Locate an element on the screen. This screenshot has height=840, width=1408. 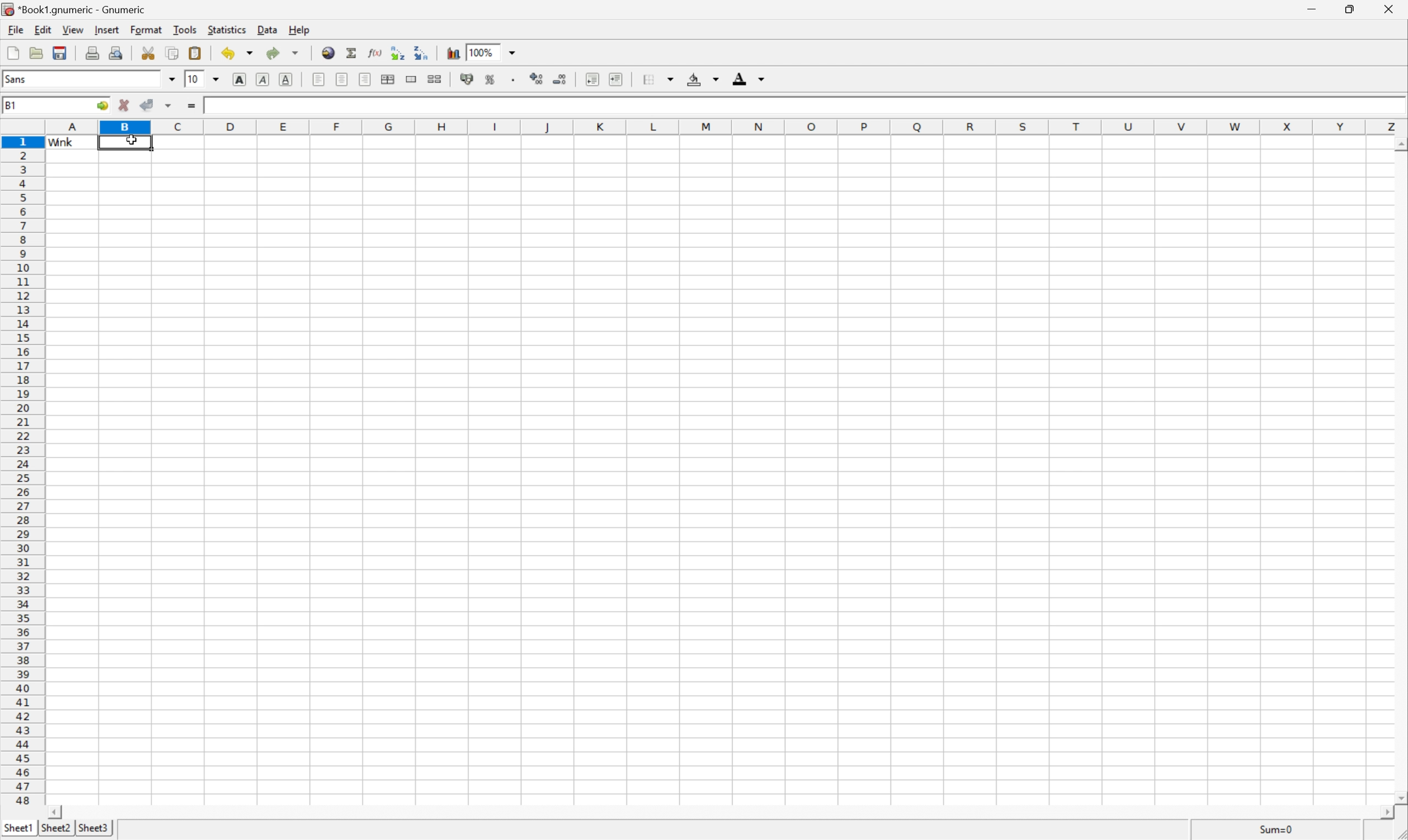
borders is located at coordinates (657, 79).